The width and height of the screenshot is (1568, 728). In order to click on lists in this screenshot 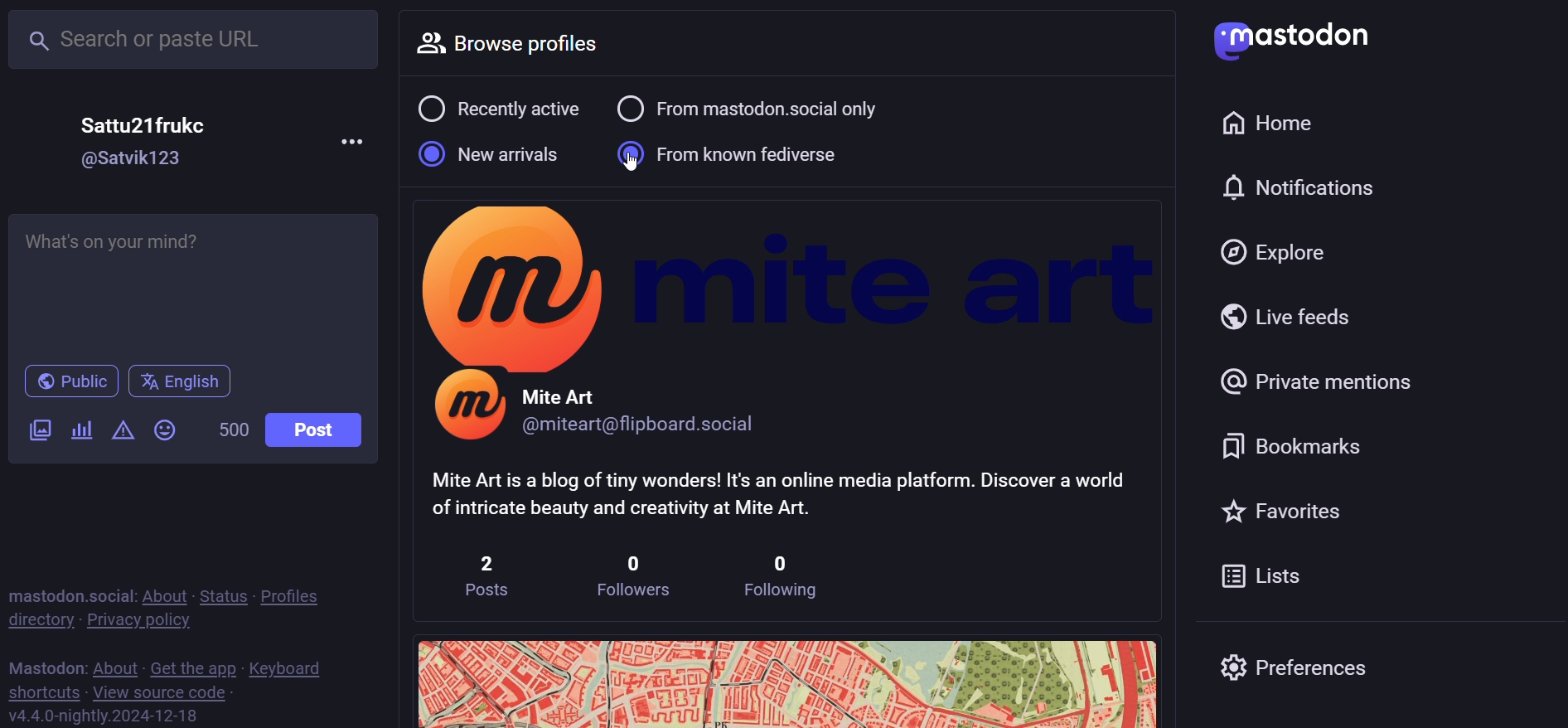, I will do `click(1270, 580)`.